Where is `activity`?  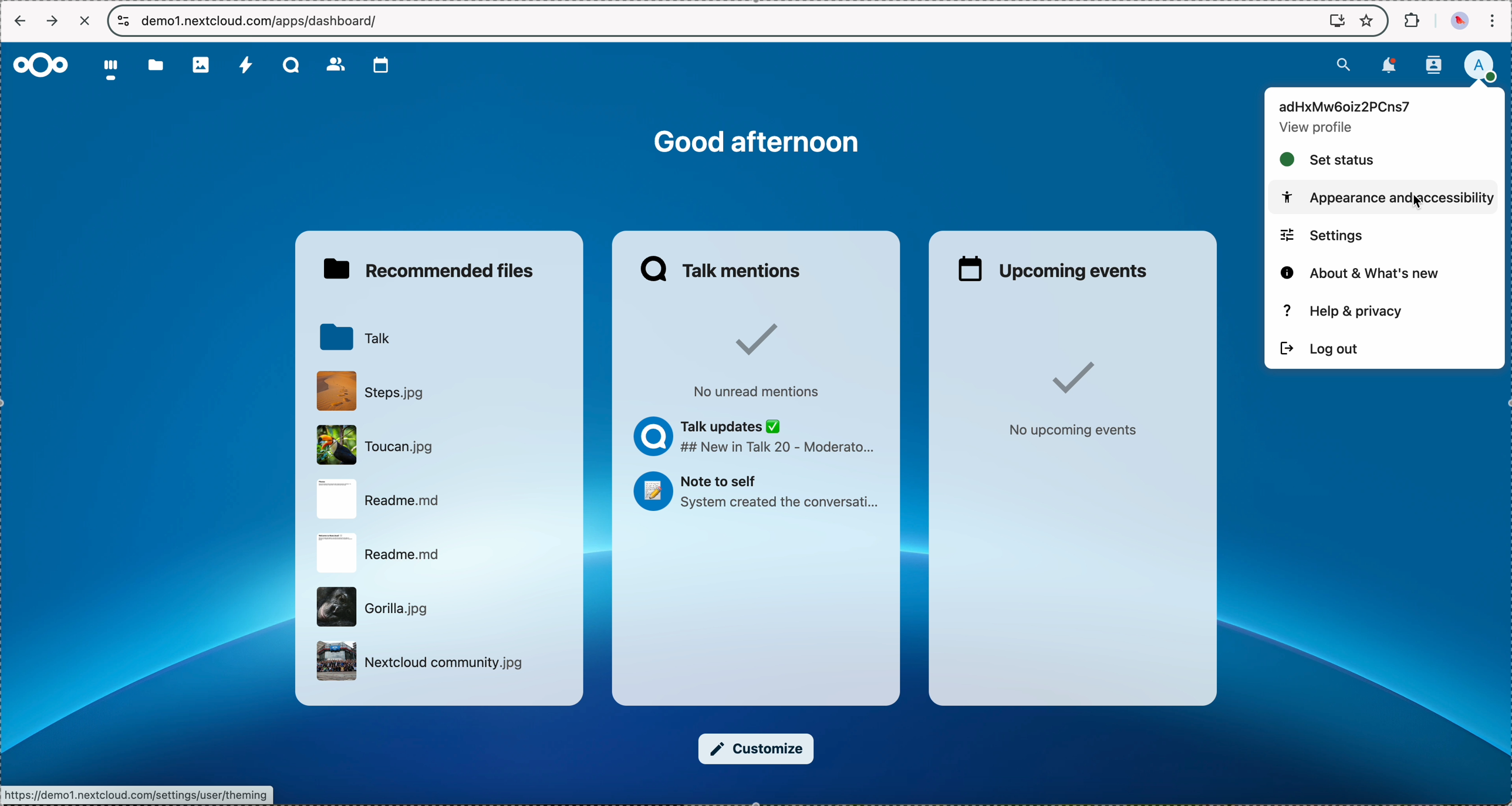 activity is located at coordinates (244, 66).